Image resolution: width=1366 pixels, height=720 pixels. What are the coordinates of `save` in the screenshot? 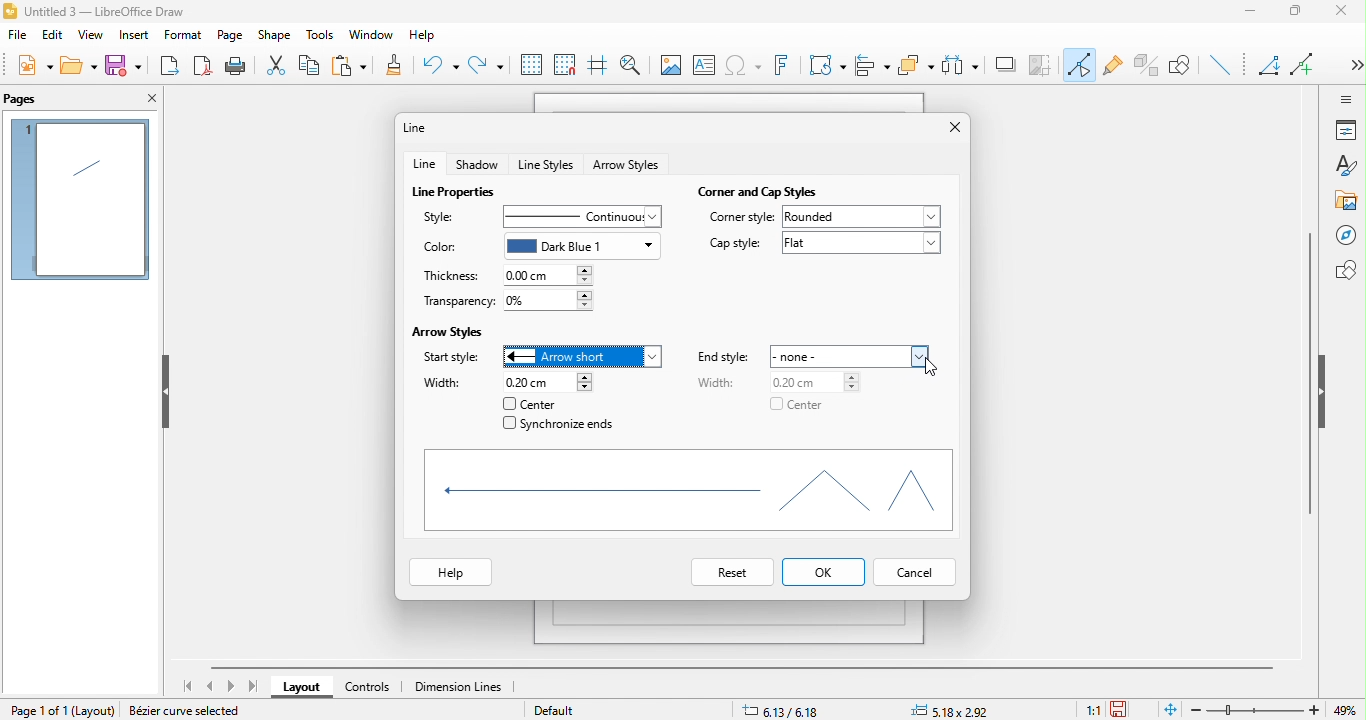 It's located at (125, 68).